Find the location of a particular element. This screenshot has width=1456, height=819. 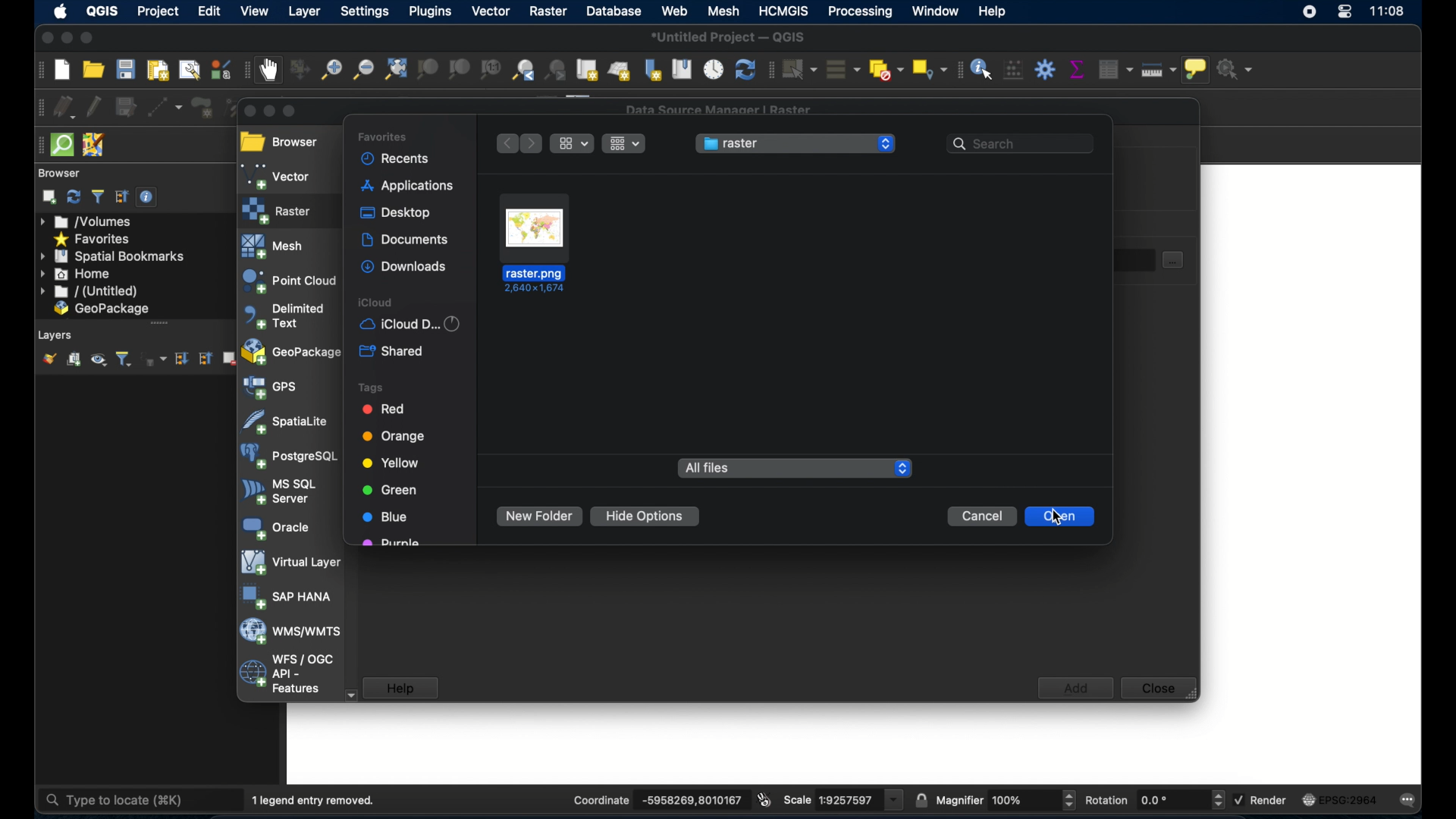

scale is located at coordinates (798, 800).